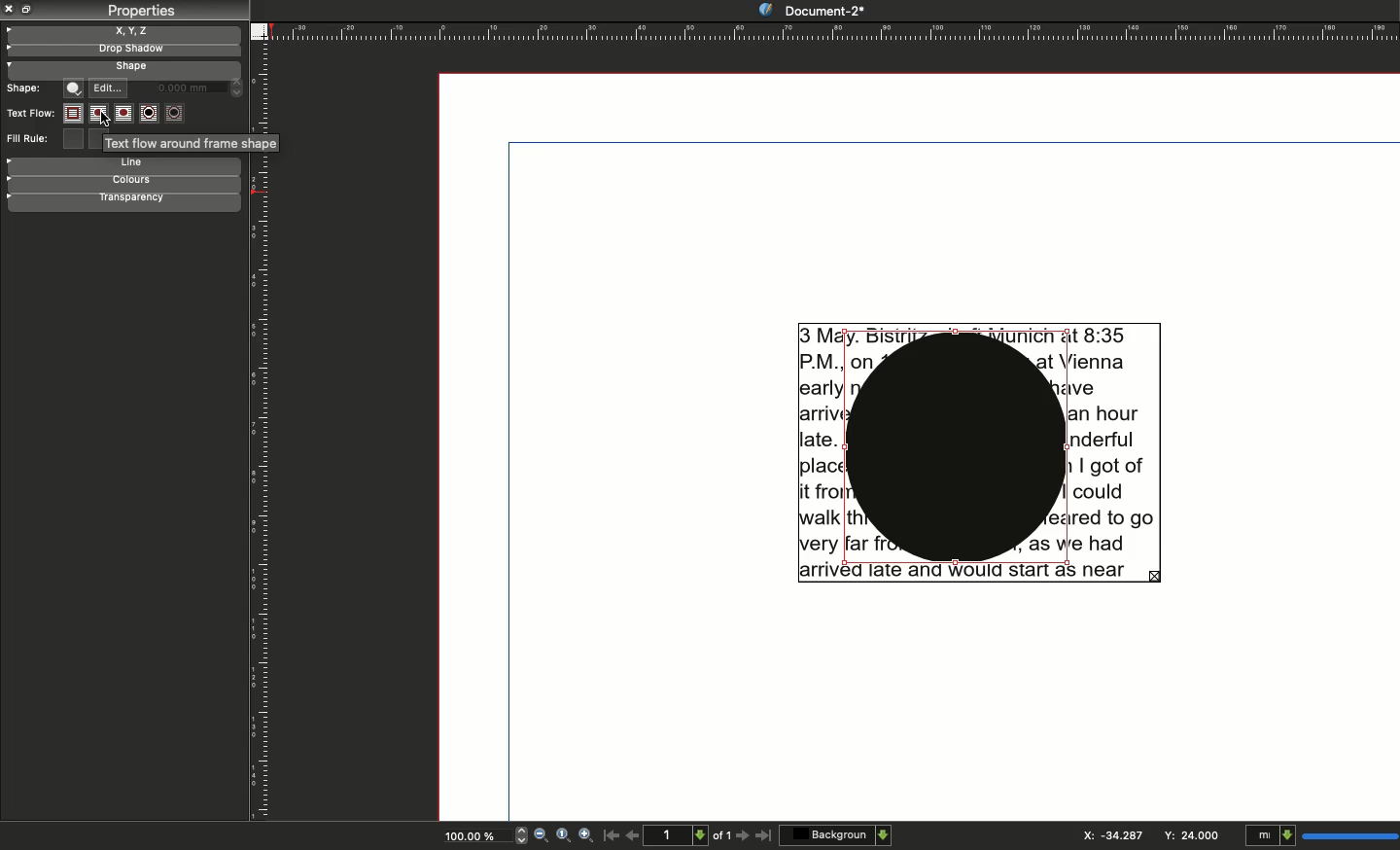 The image size is (1400, 850). Describe the element at coordinates (127, 67) in the screenshot. I see `Shape` at that location.